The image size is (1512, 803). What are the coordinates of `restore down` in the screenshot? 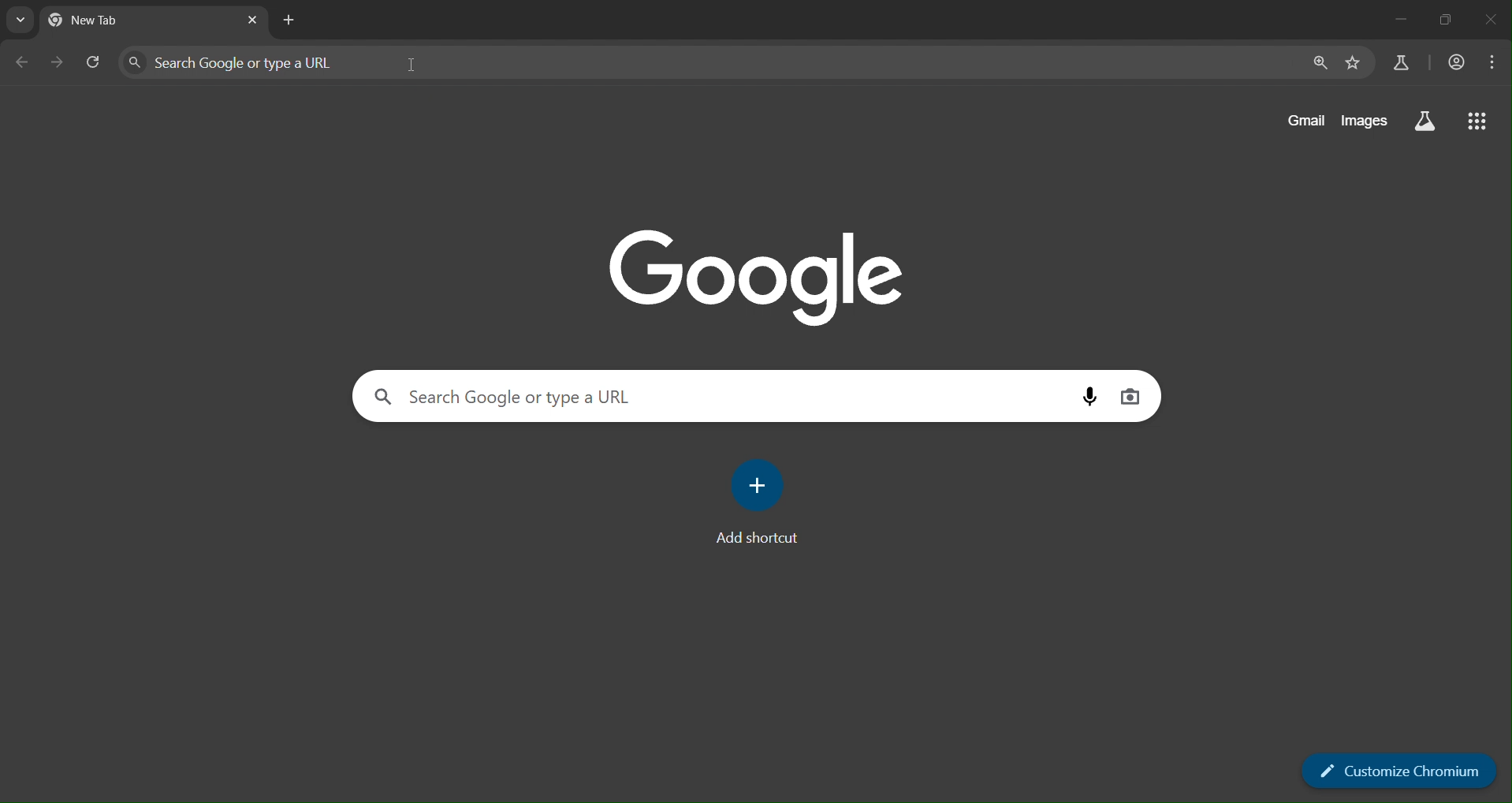 It's located at (1444, 19).